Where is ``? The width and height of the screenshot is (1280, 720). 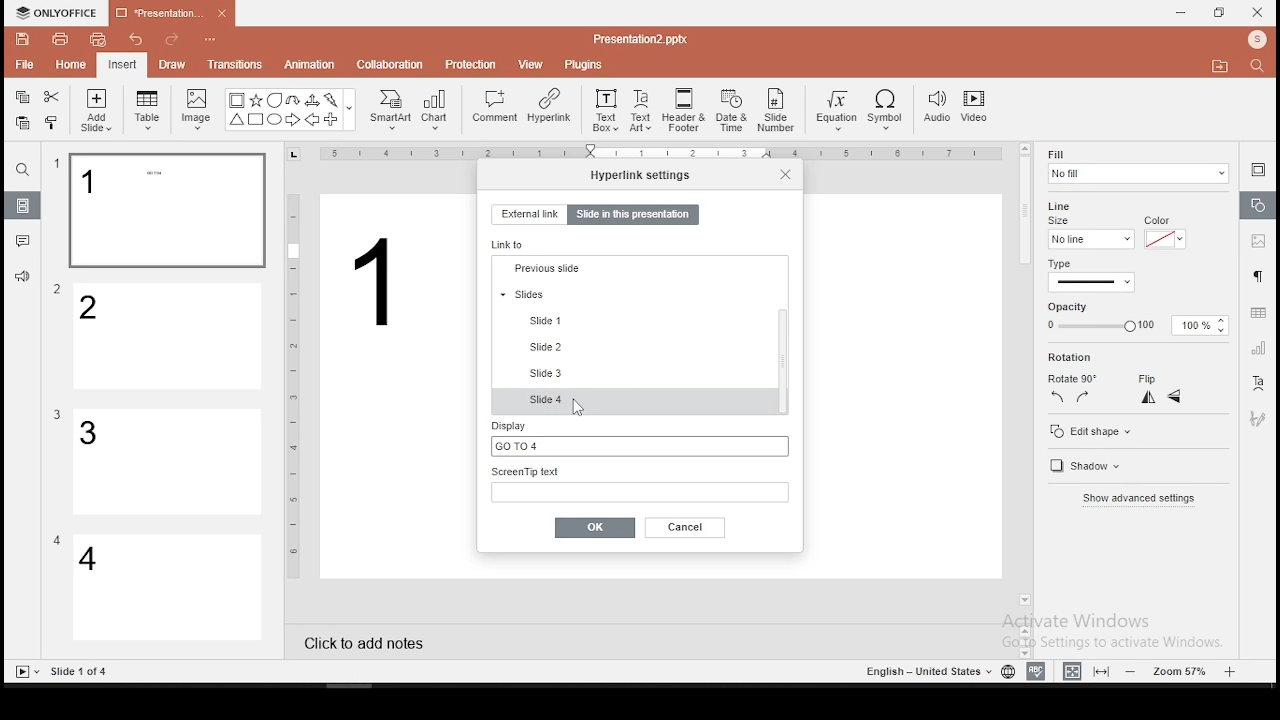  is located at coordinates (1253, 418).